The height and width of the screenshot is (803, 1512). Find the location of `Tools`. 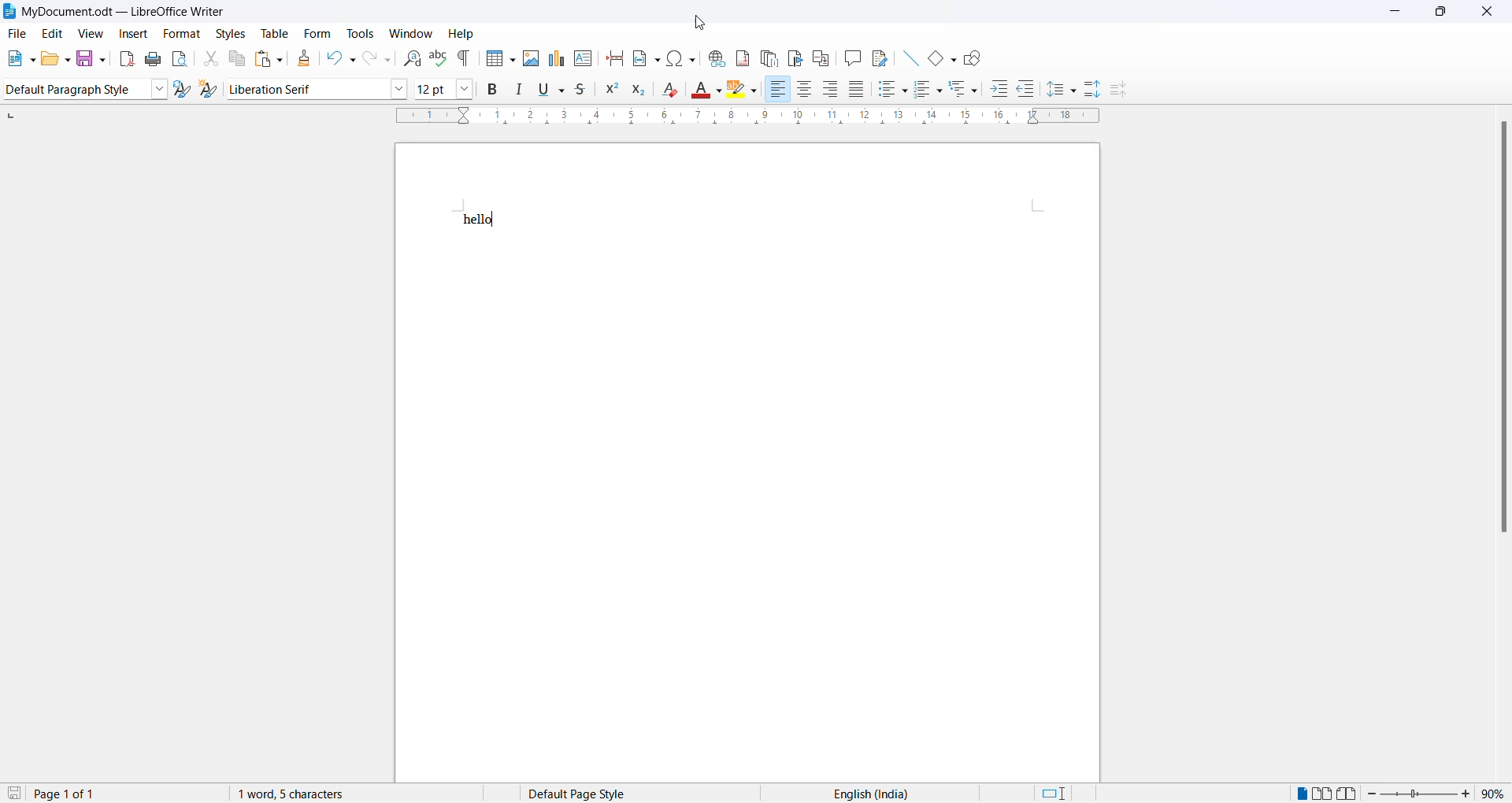

Tools is located at coordinates (360, 33).